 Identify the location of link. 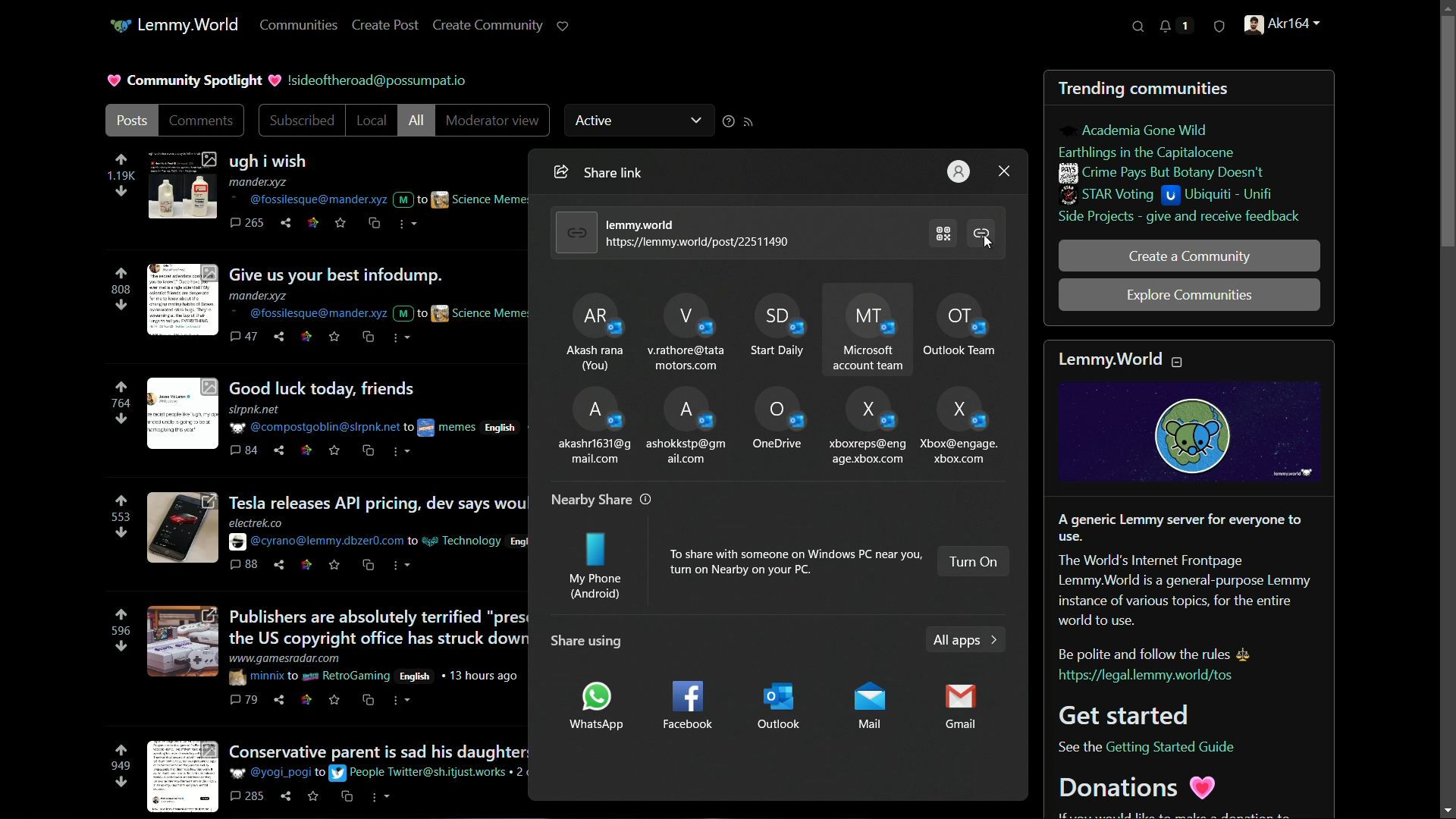
(304, 566).